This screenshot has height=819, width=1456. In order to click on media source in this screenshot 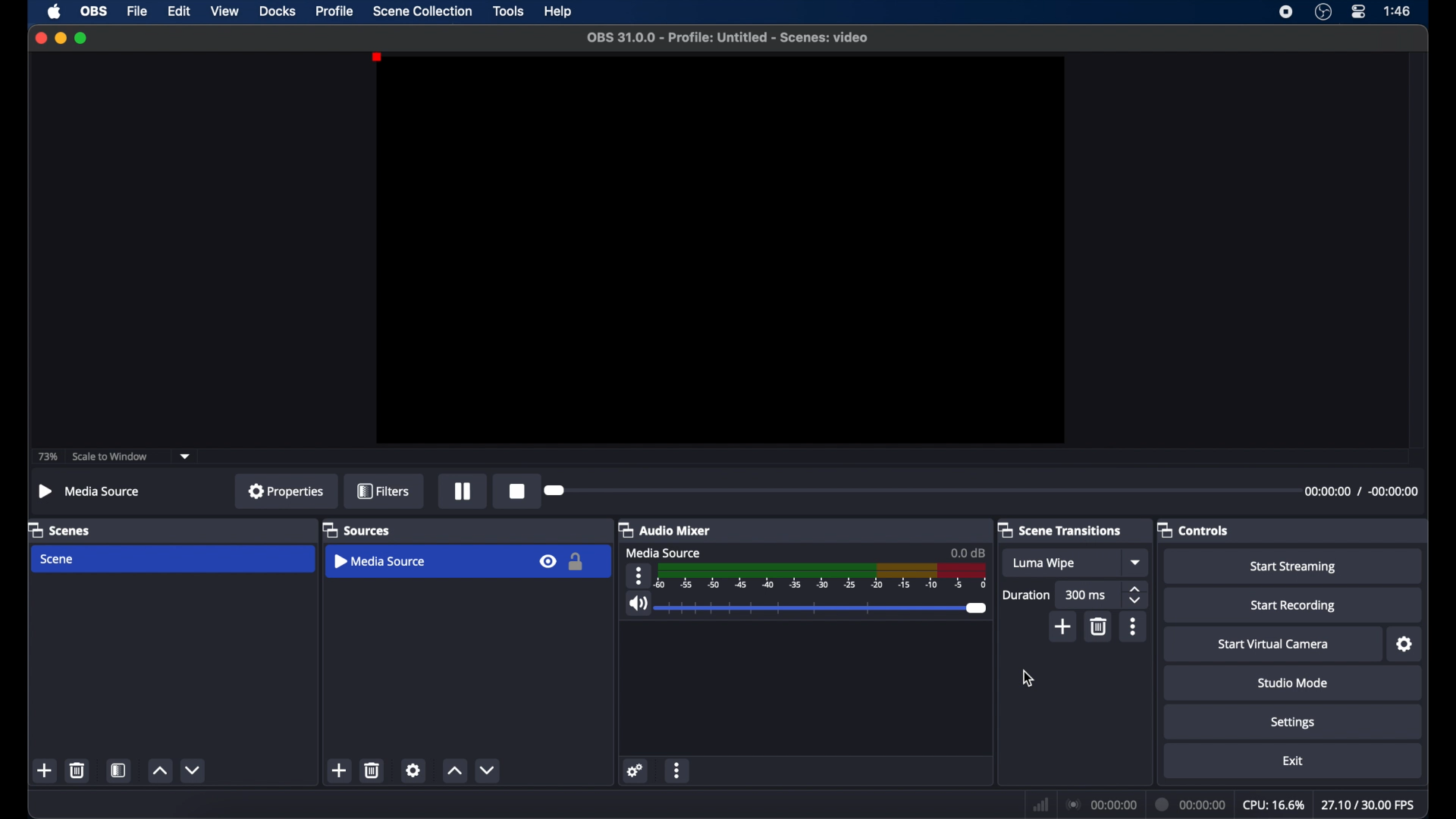, I will do `click(664, 553)`.